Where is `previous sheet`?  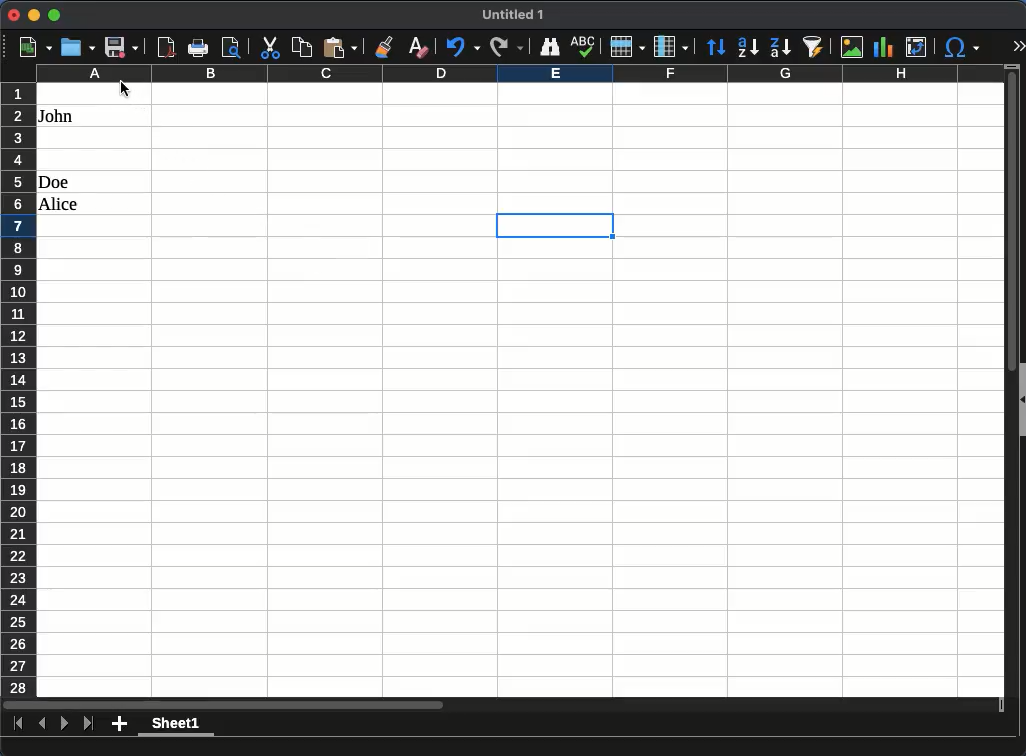
previous sheet is located at coordinates (44, 723).